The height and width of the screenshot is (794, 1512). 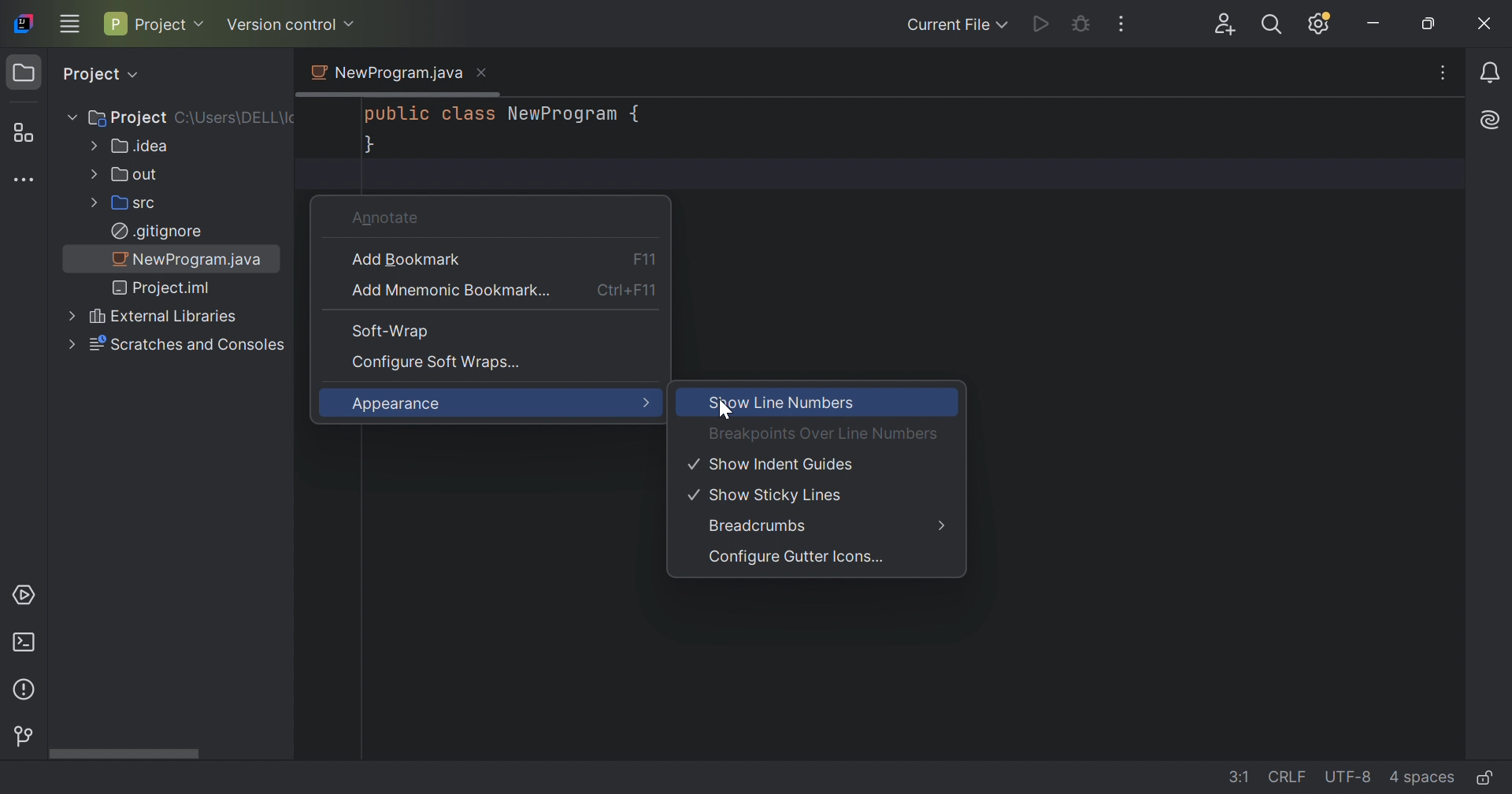 I want to click on out, so click(x=135, y=173).